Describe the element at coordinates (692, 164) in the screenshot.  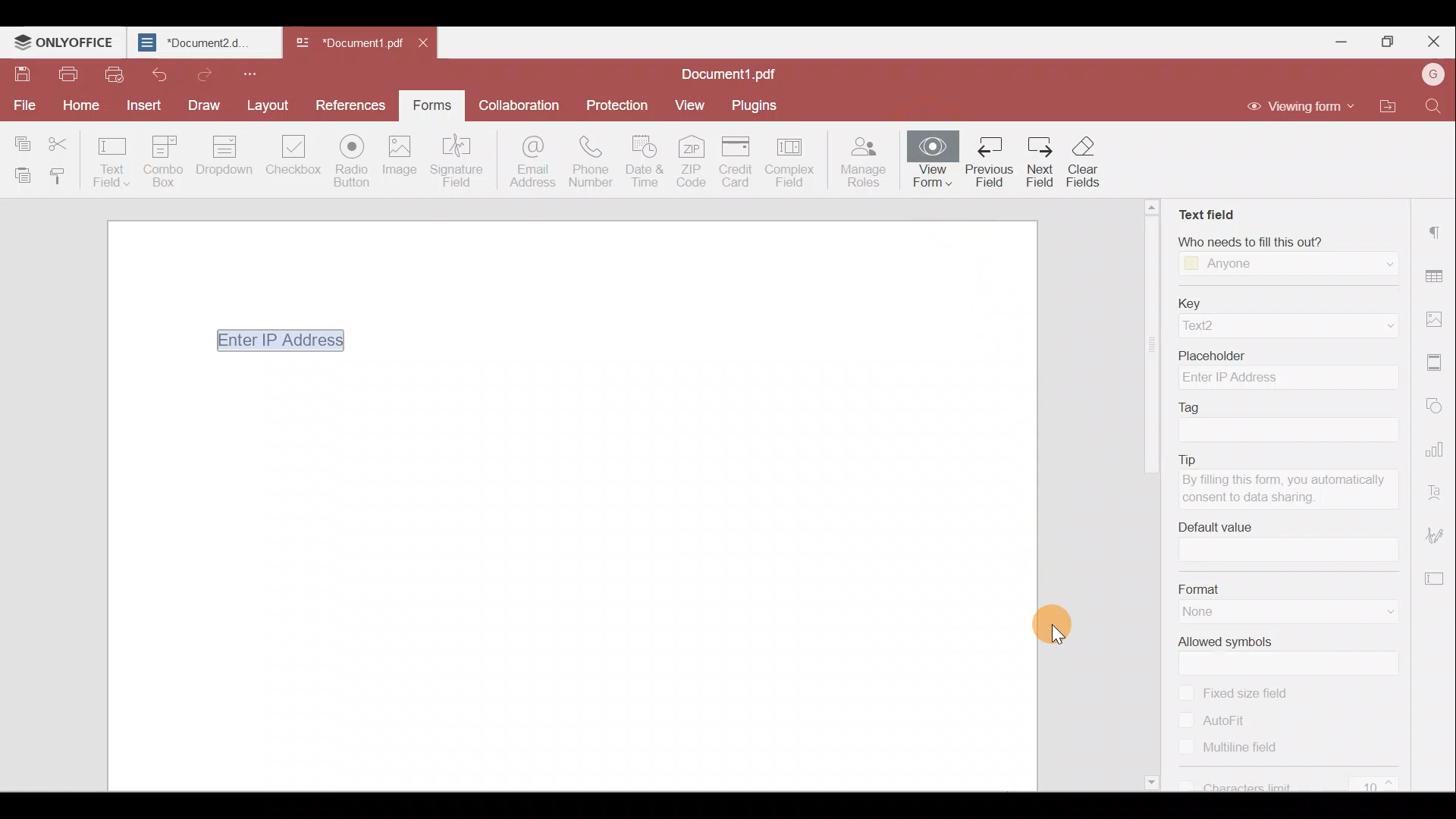
I see `ZIP Code` at that location.